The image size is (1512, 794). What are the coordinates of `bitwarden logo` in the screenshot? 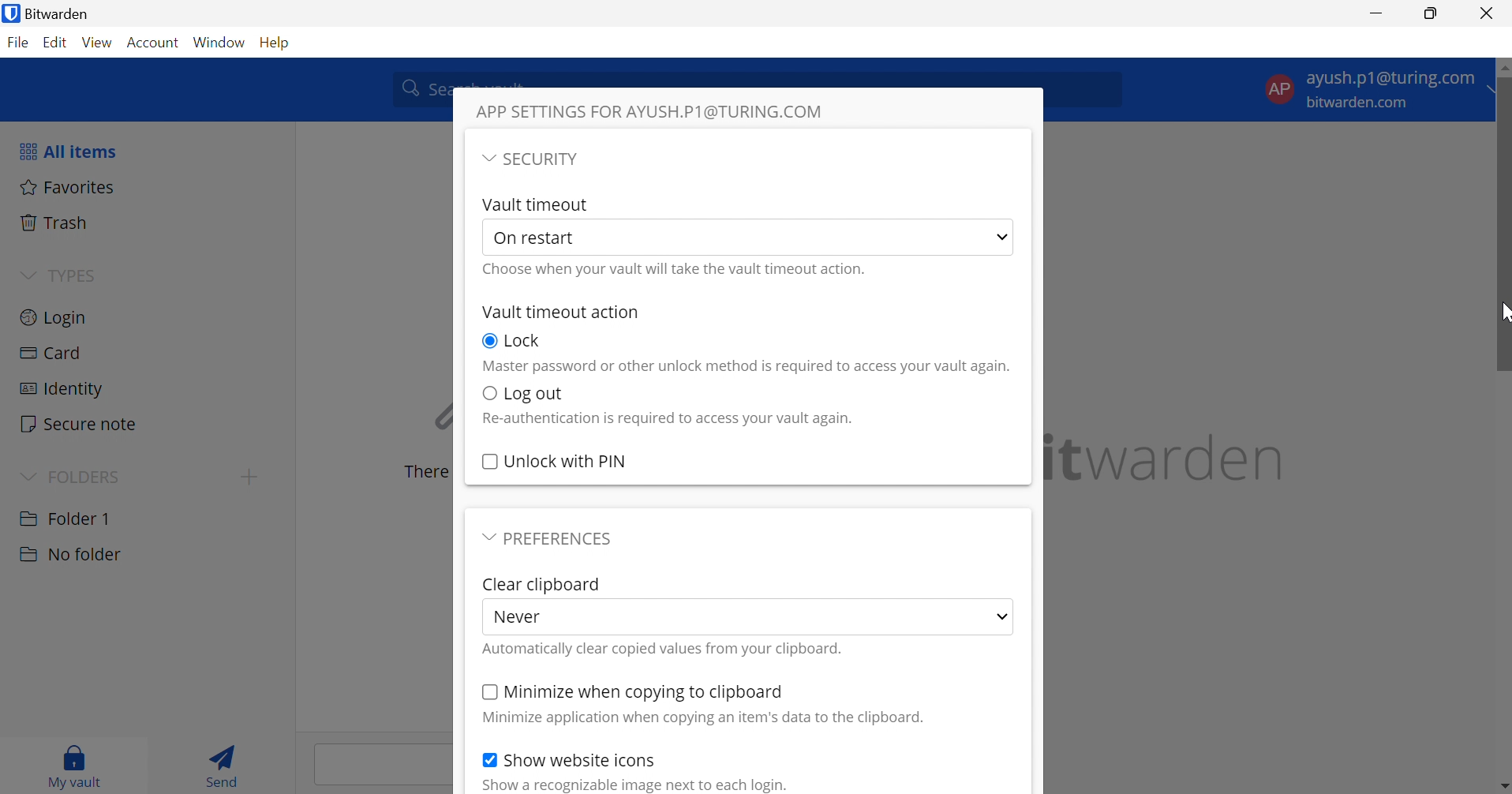 It's located at (9, 15).